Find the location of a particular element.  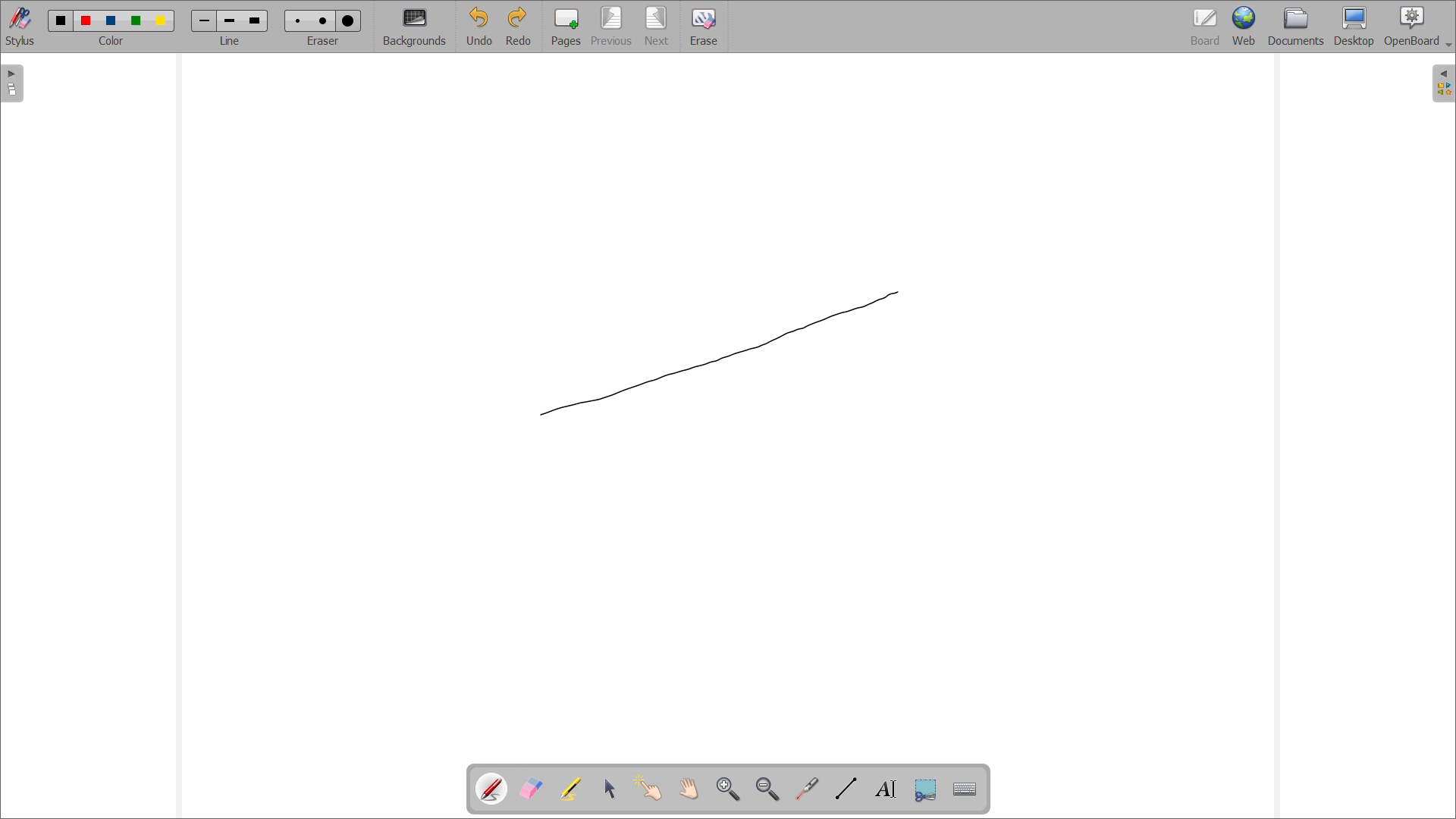

documents is located at coordinates (1296, 27).